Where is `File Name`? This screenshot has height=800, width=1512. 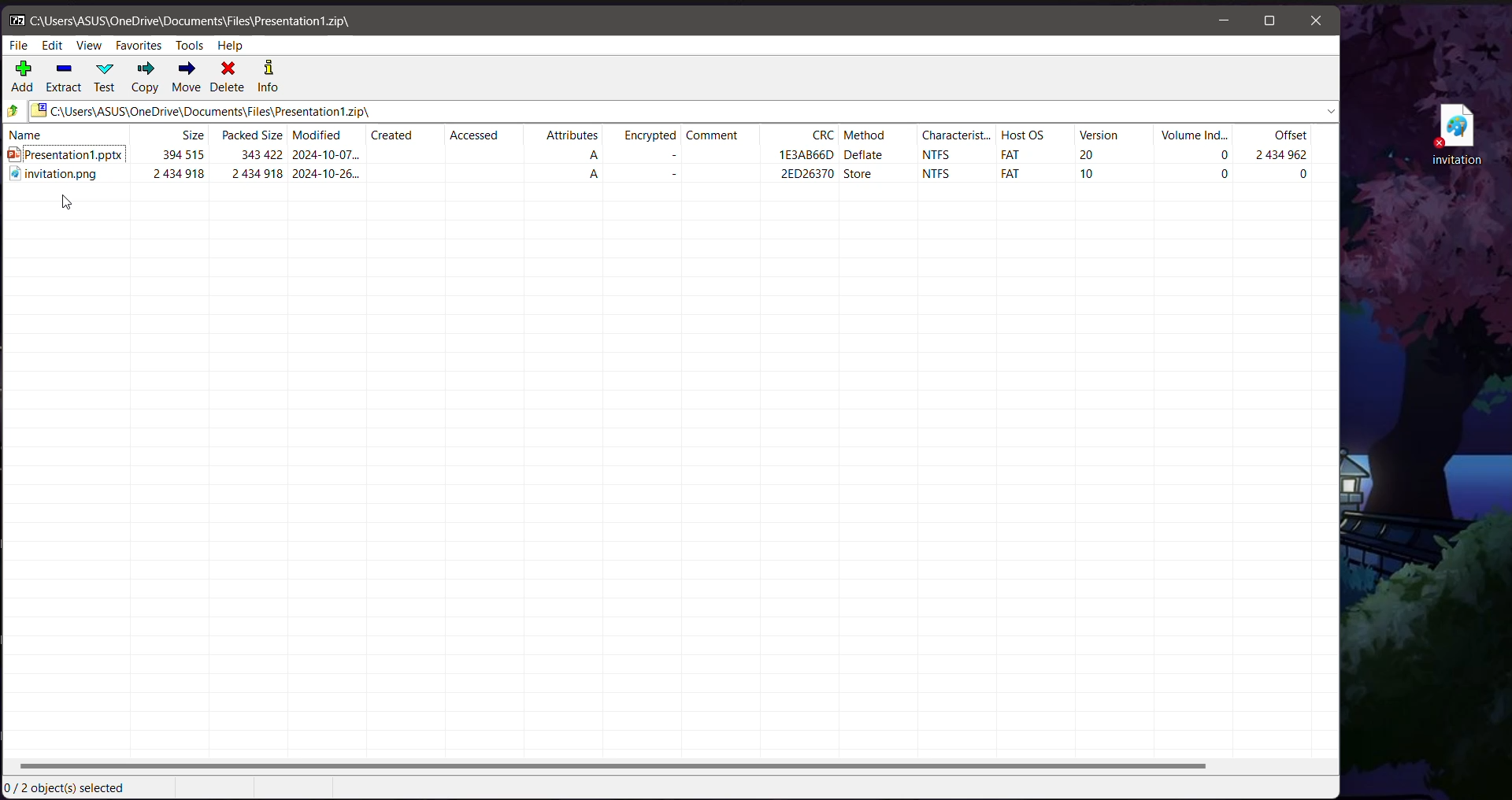 File Name is located at coordinates (68, 135).